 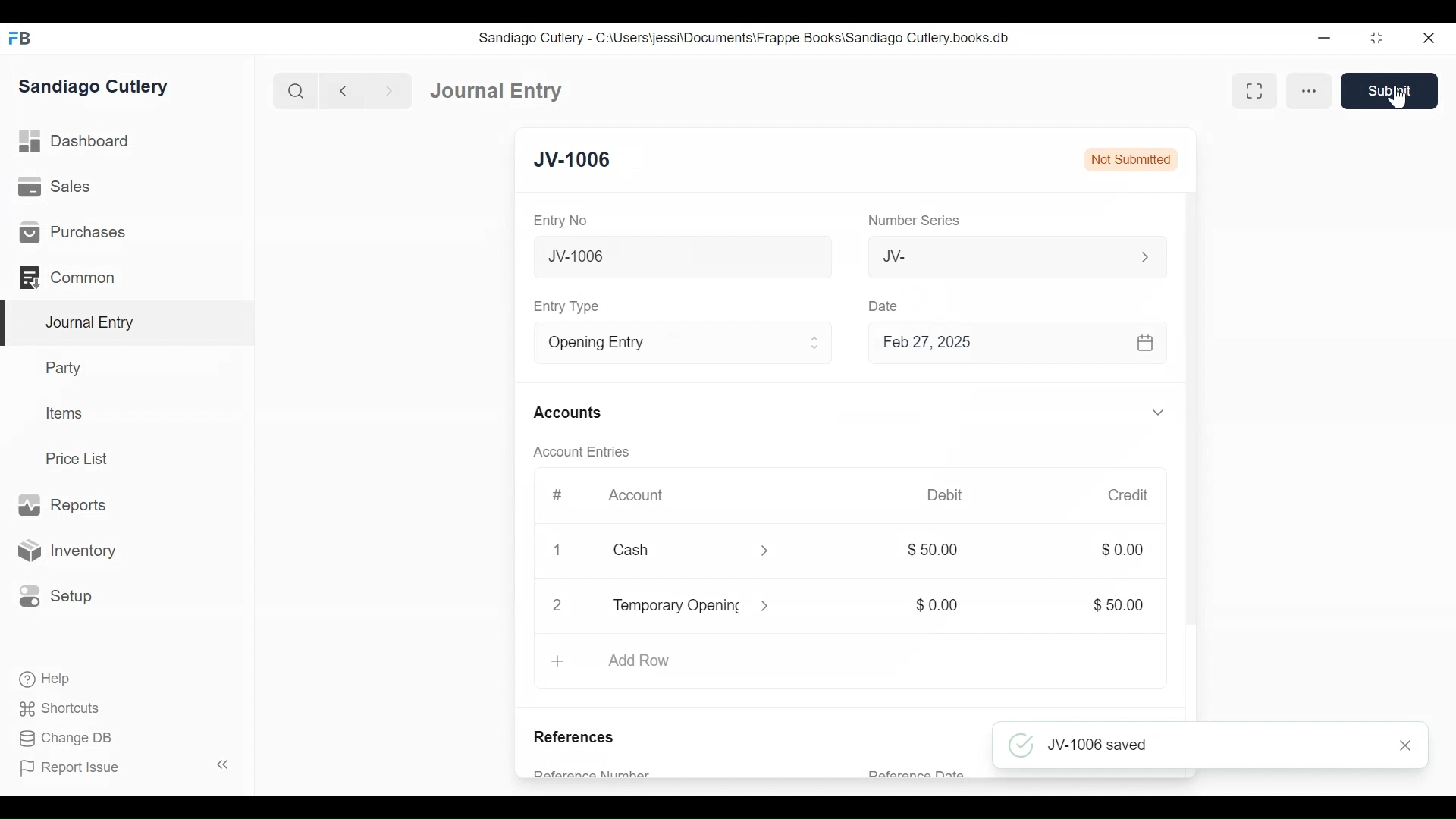 What do you see at coordinates (341, 91) in the screenshot?
I see `Navigate back` at bounding box center [341, 91].